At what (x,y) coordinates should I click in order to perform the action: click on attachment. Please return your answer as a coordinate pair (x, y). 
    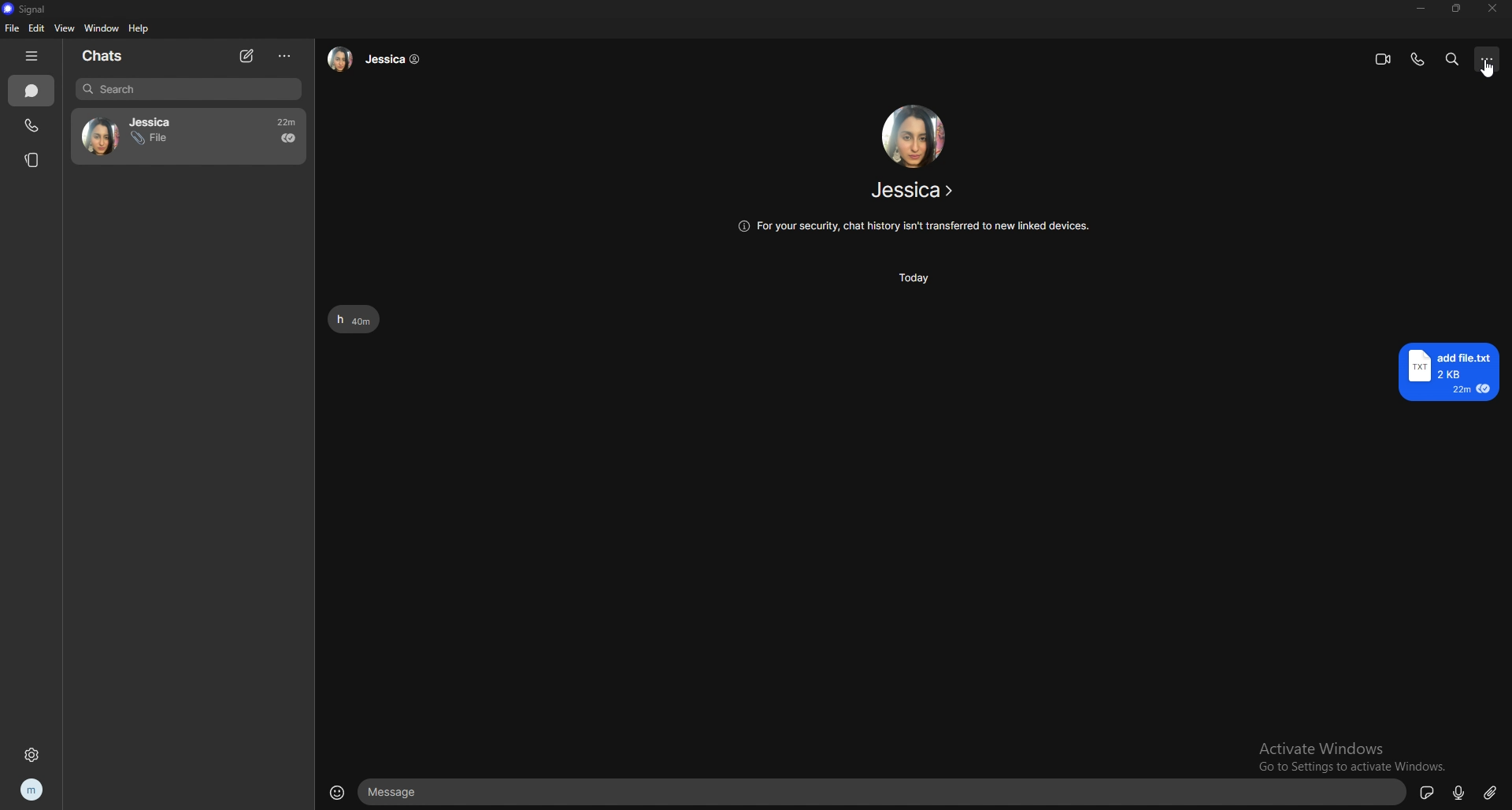
    Looking at the image, I should click on (1491, 792).